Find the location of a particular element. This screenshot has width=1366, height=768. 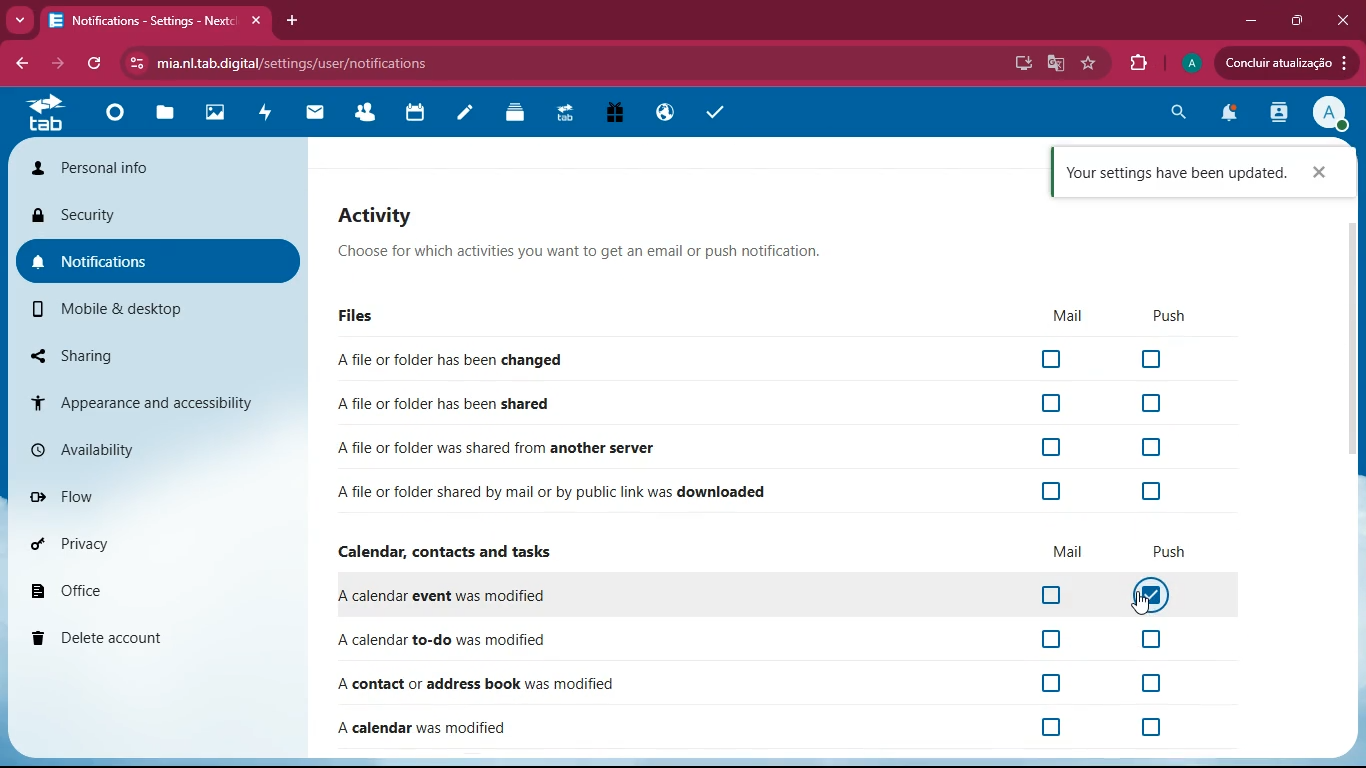

checkbox is located at coordinates (1052, 491).